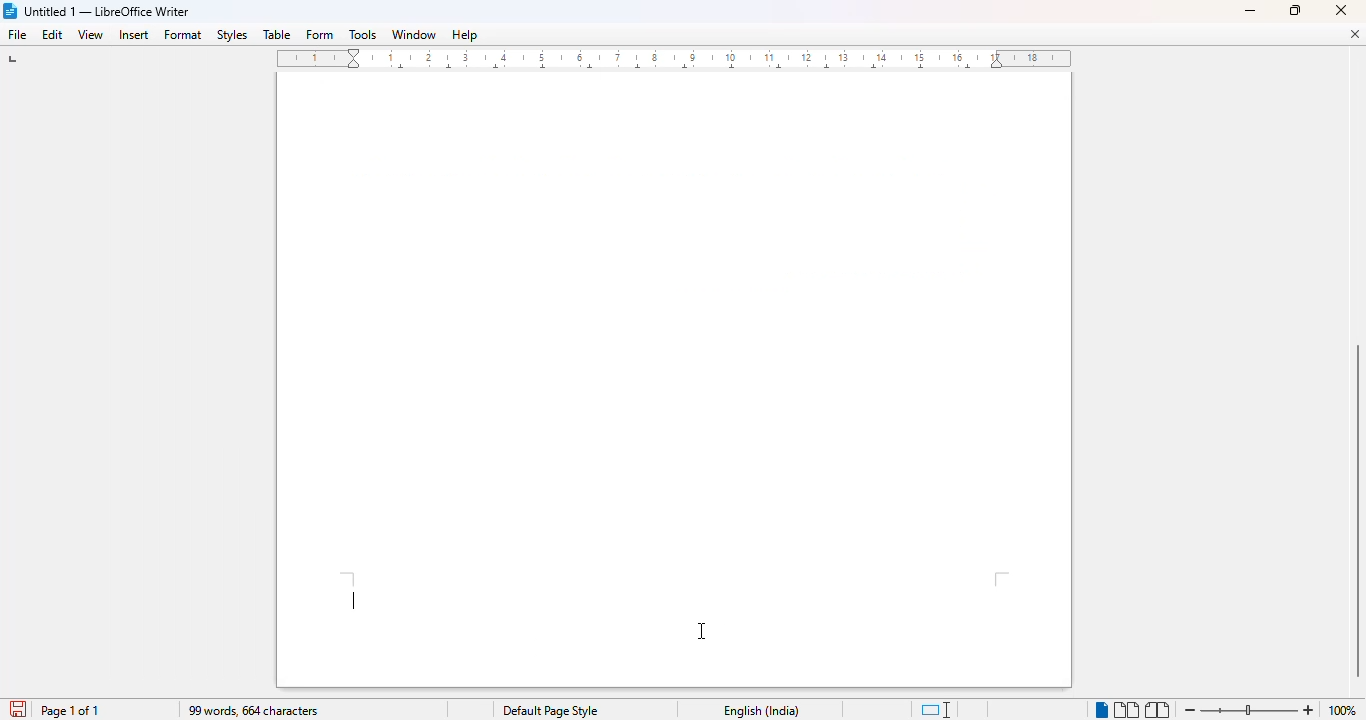  What do you see at coordinates (184, 36) in the screenshot?
I see `format` at bounding box center [184, 36].